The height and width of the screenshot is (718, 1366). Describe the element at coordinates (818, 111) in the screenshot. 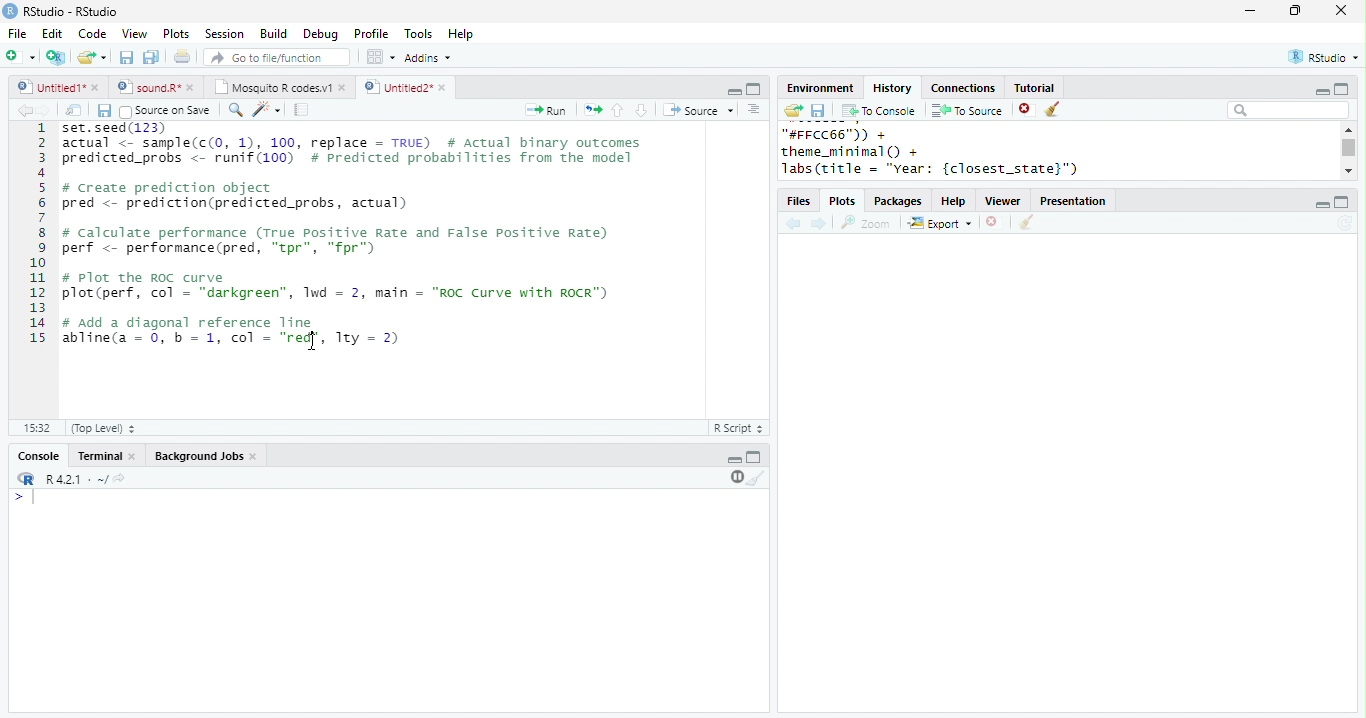

I see `save` at that location.